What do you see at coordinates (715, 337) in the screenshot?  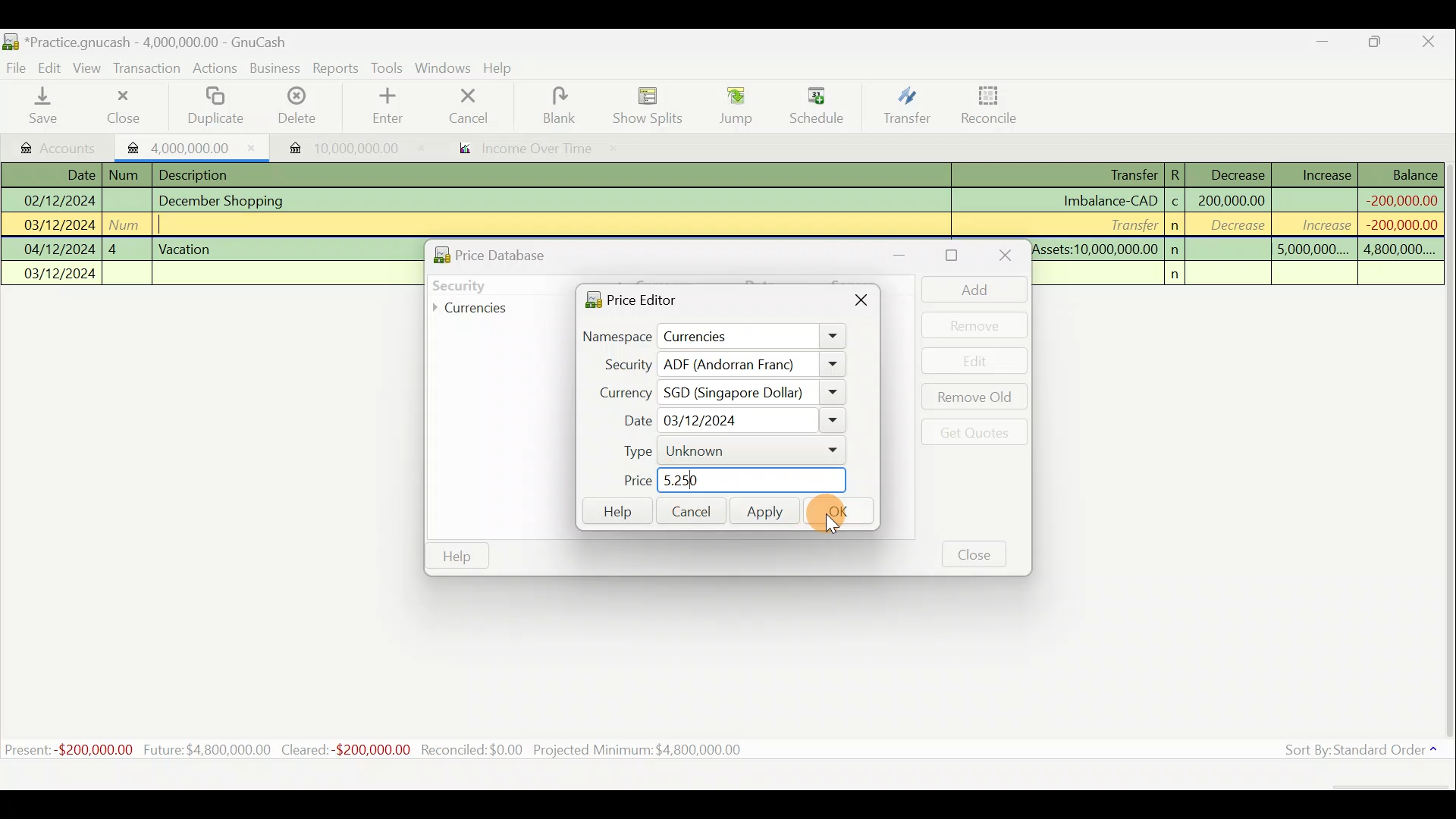 I see `Namespace` at bounding box center [715, 337].